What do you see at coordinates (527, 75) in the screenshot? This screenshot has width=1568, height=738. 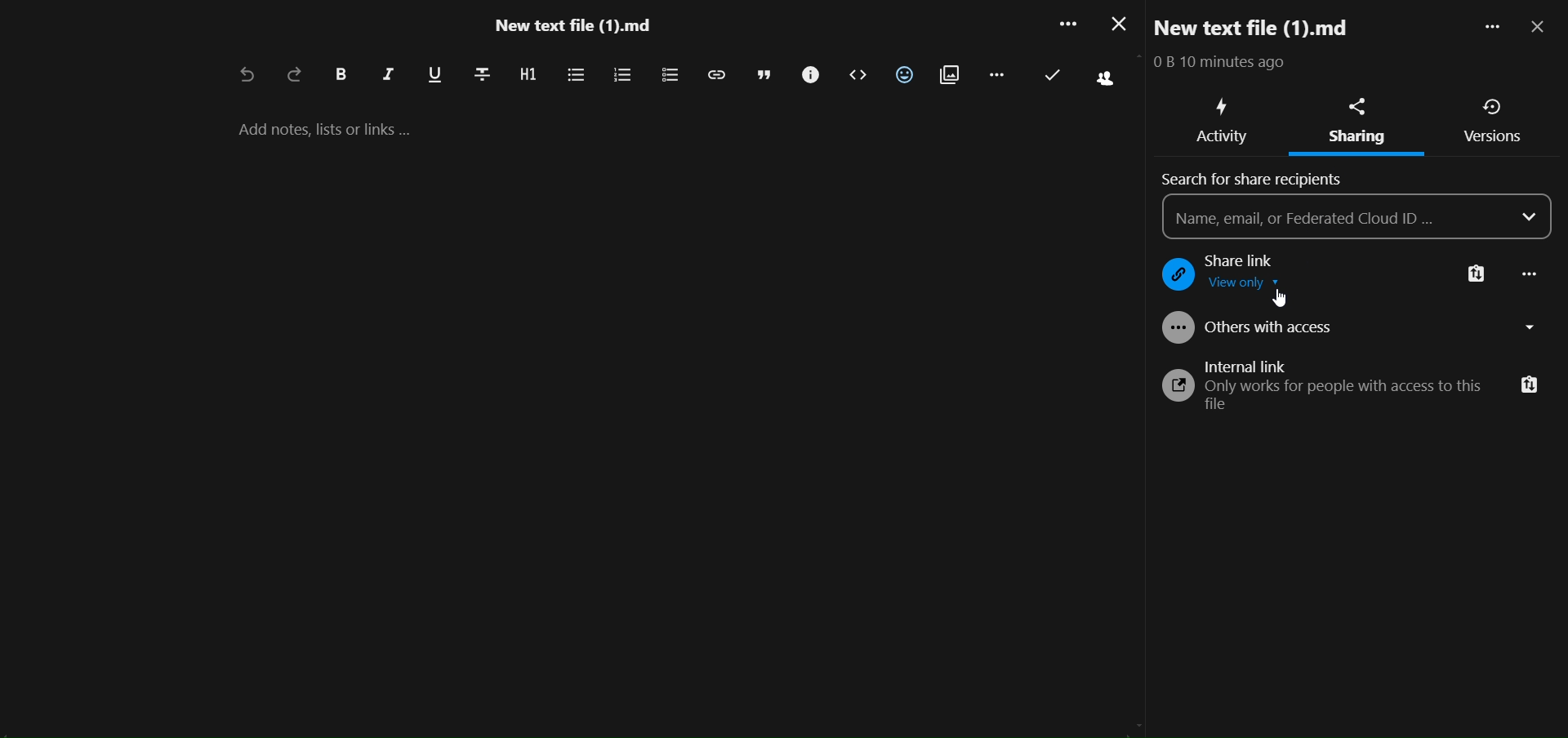 I see `heading` at bounding box center [527, 75].